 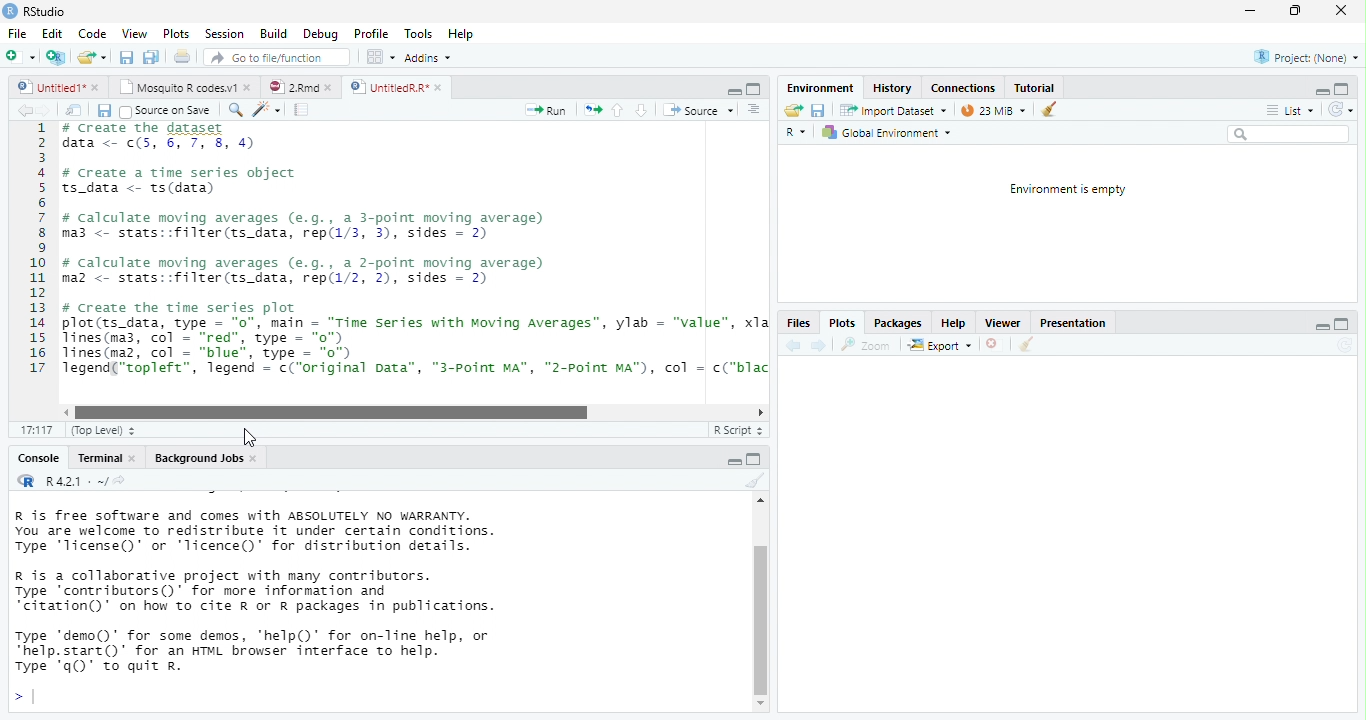 I want to click on Document outline, so click(x=755, y=110).